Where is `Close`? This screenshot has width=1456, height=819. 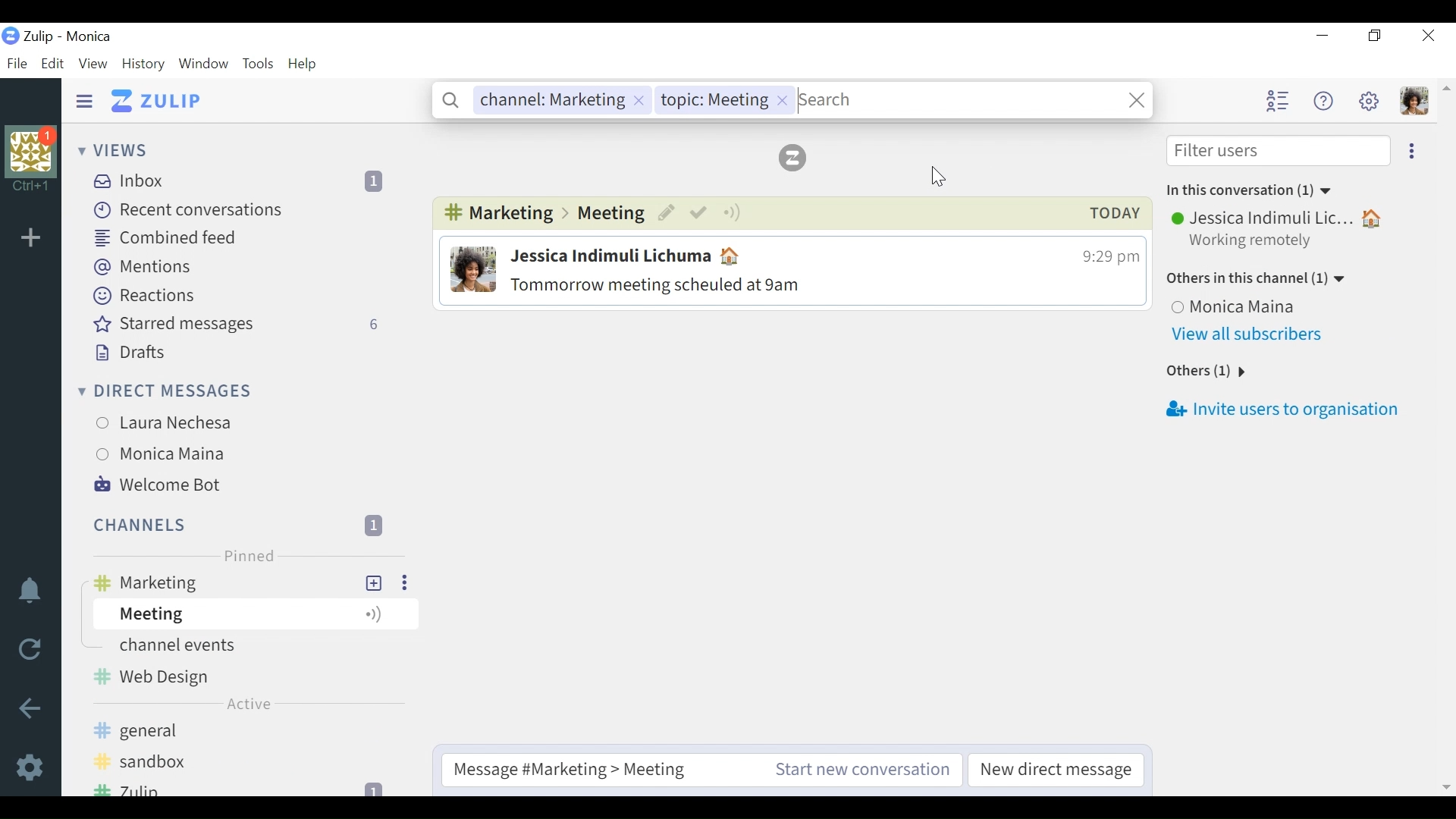 Close is located at coordinates (1427, 35).